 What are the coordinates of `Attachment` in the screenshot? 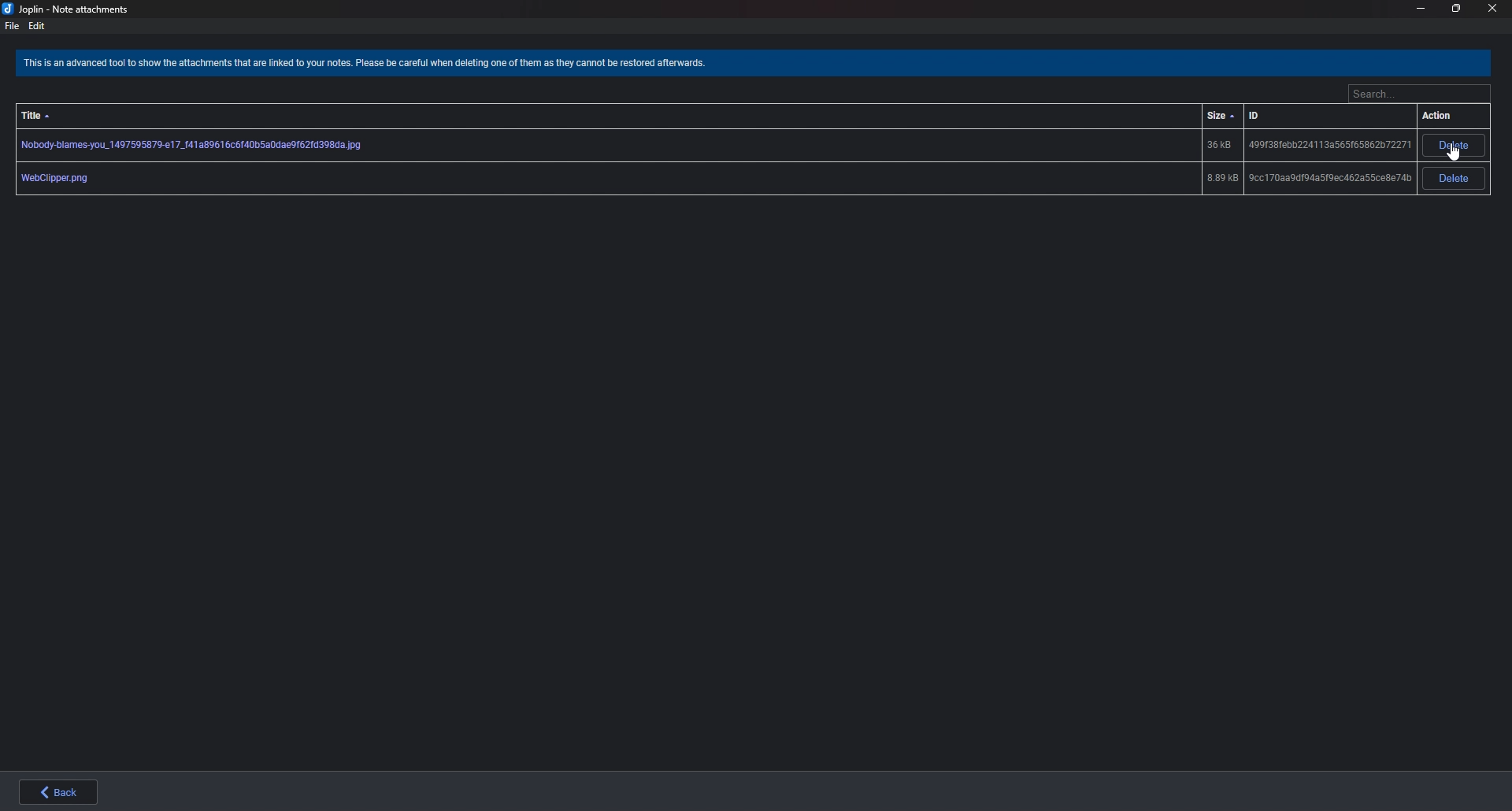 It's located at (712, 146).